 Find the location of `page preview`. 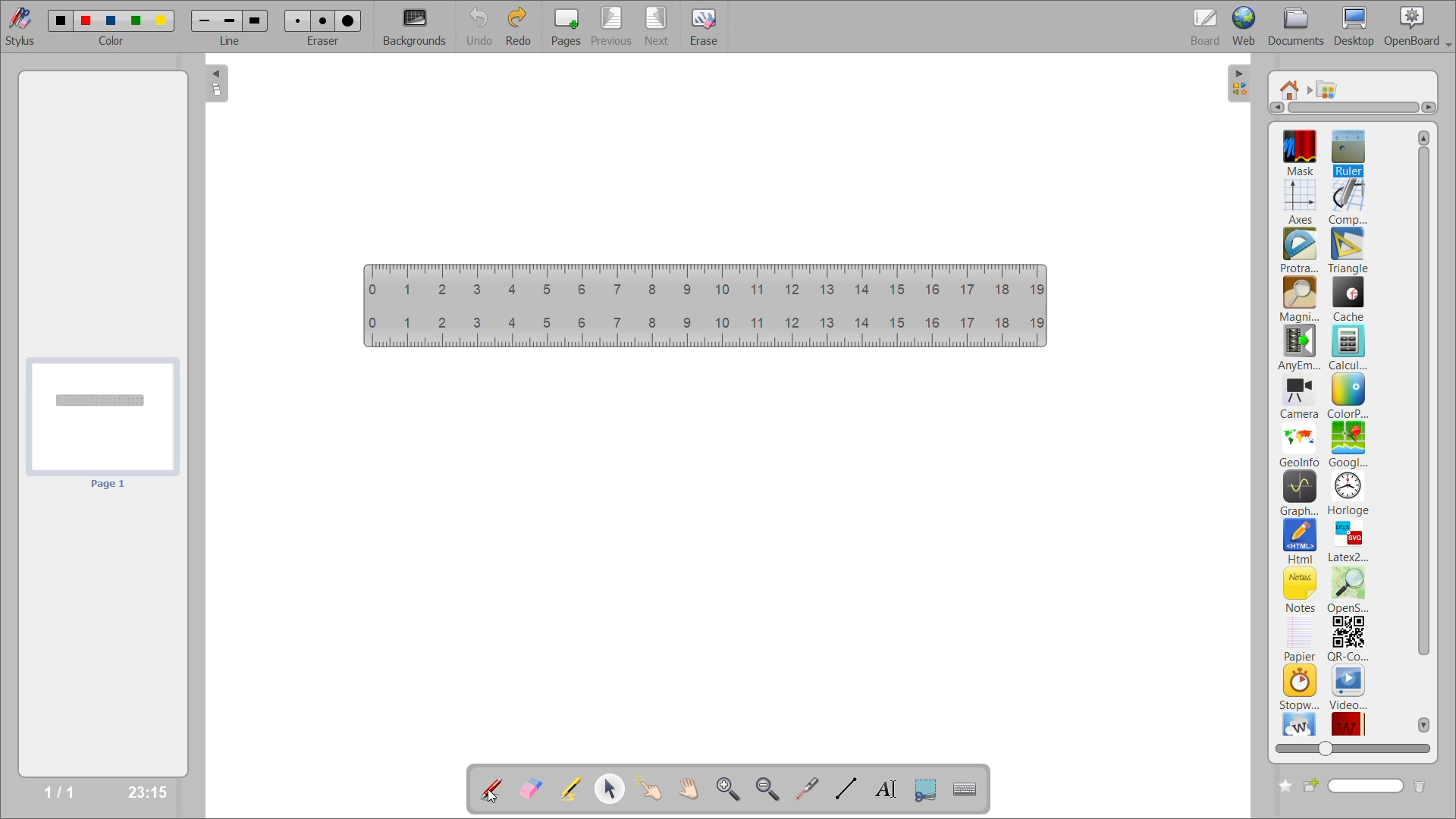

page preview is located at coordinates (100, 425).